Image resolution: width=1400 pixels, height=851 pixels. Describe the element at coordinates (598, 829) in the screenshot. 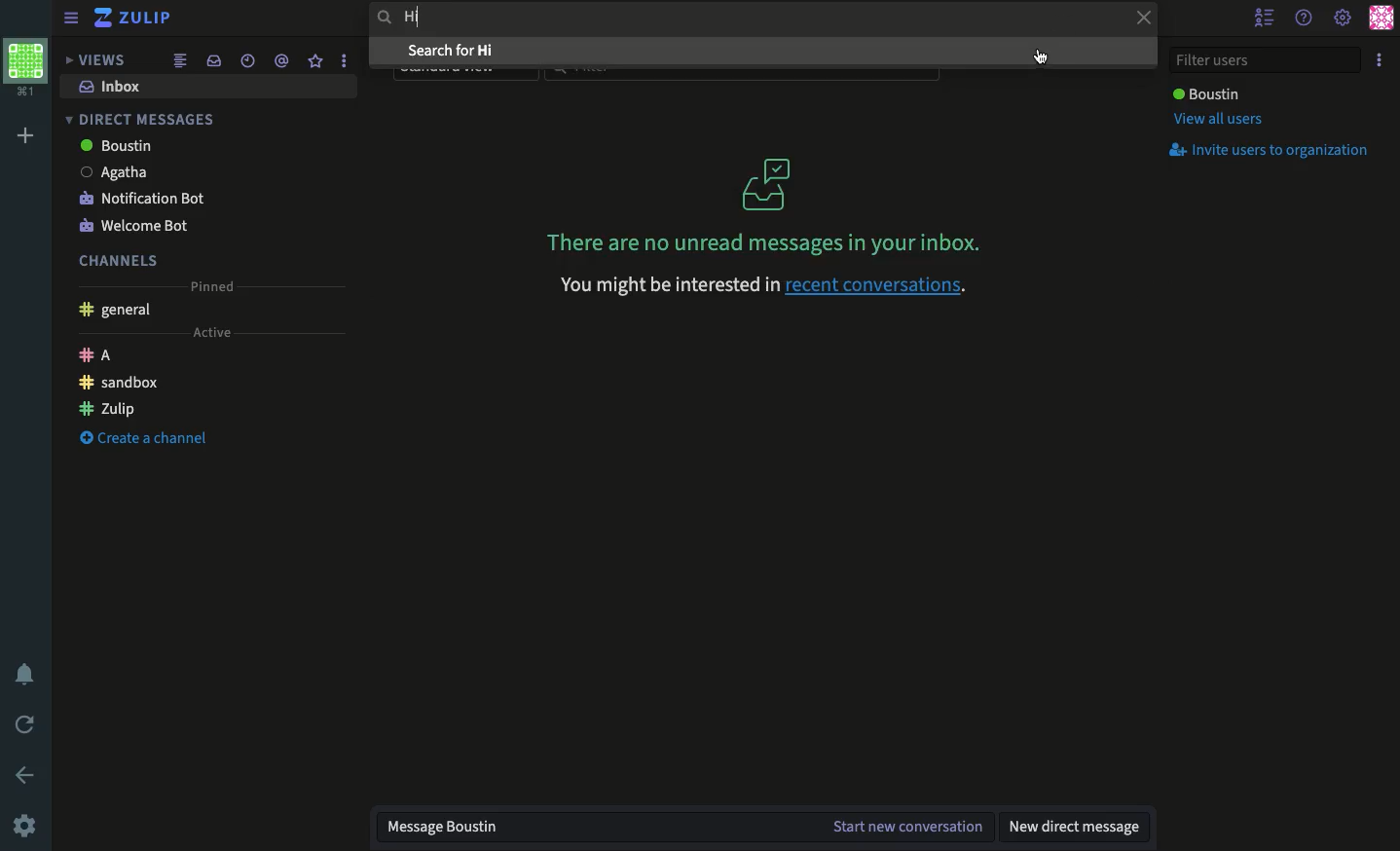

I see `Message` at that location.